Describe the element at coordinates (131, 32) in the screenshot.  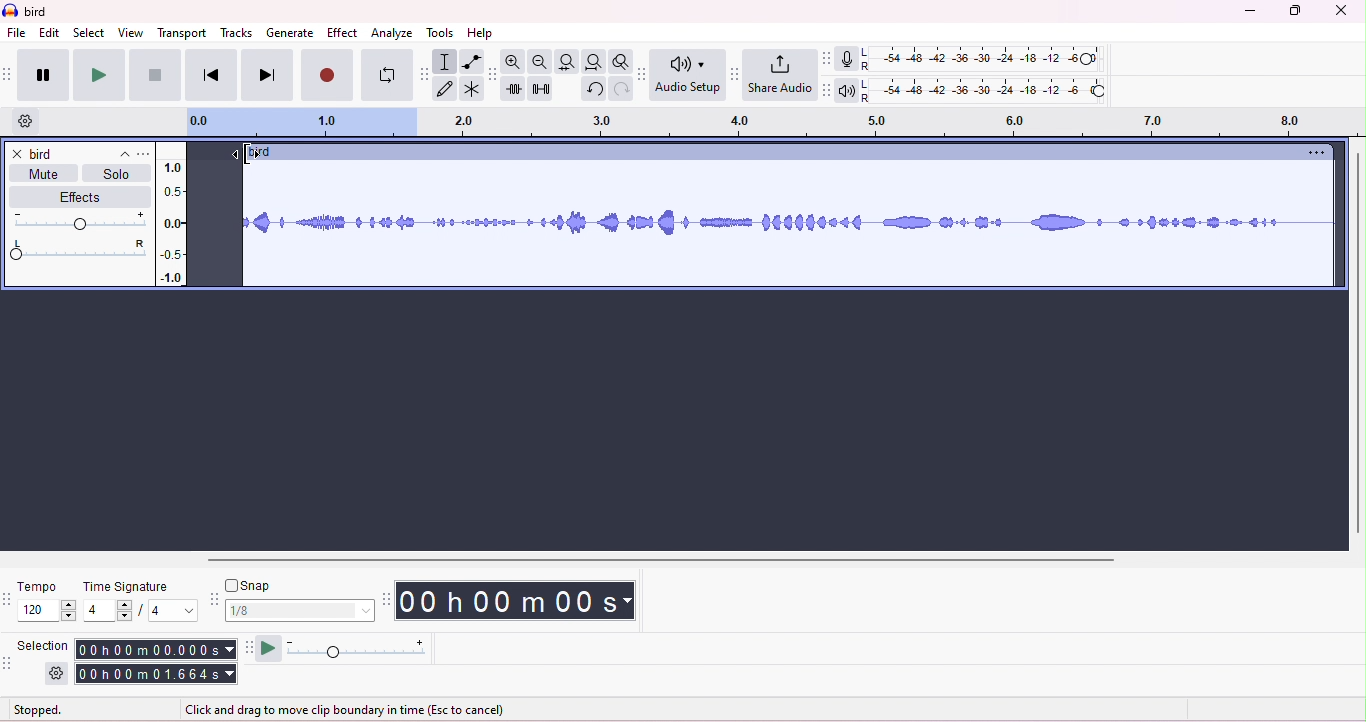
I see `view` at that location.